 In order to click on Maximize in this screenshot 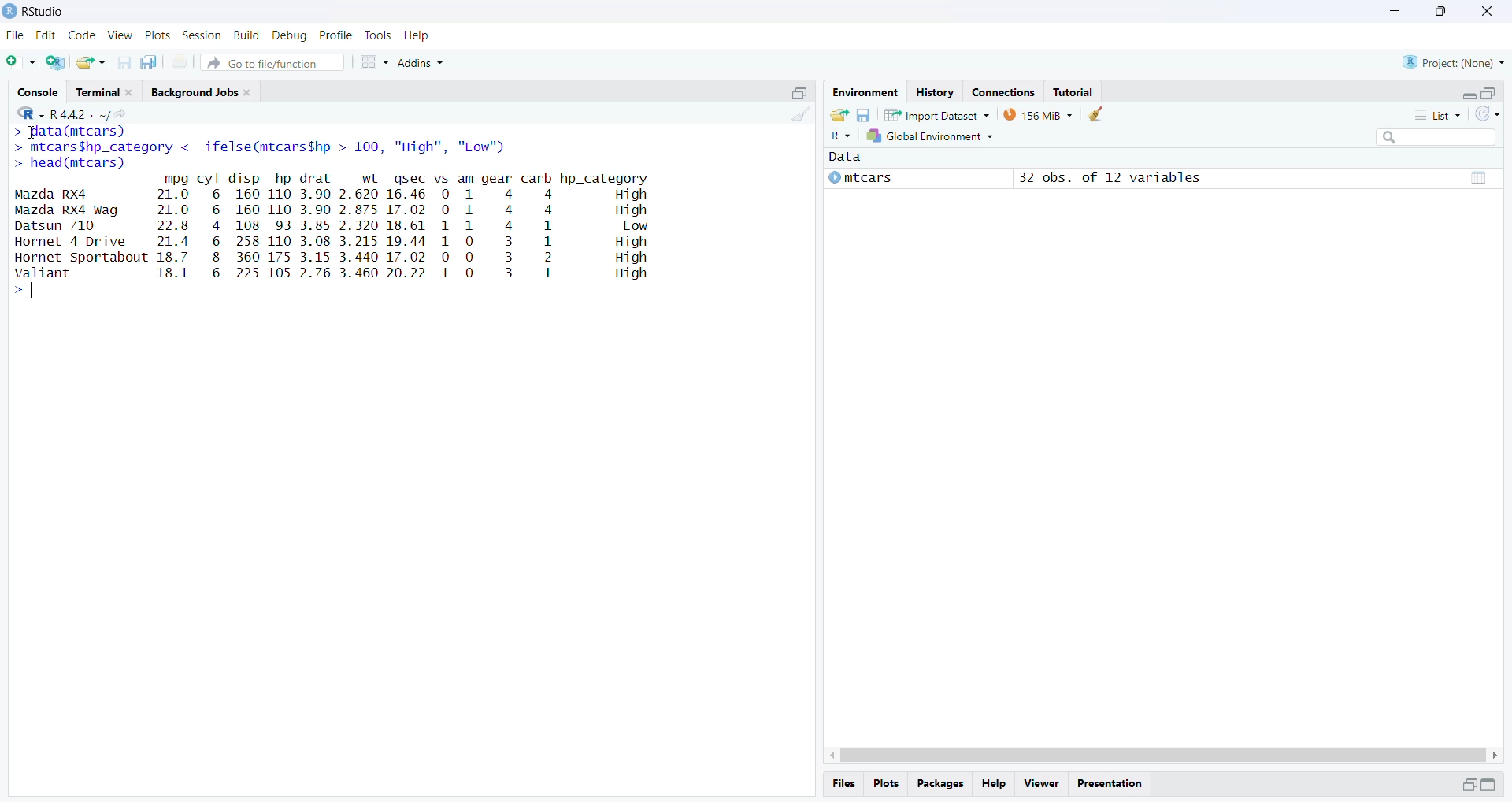, I will do `click(801, 91)`.